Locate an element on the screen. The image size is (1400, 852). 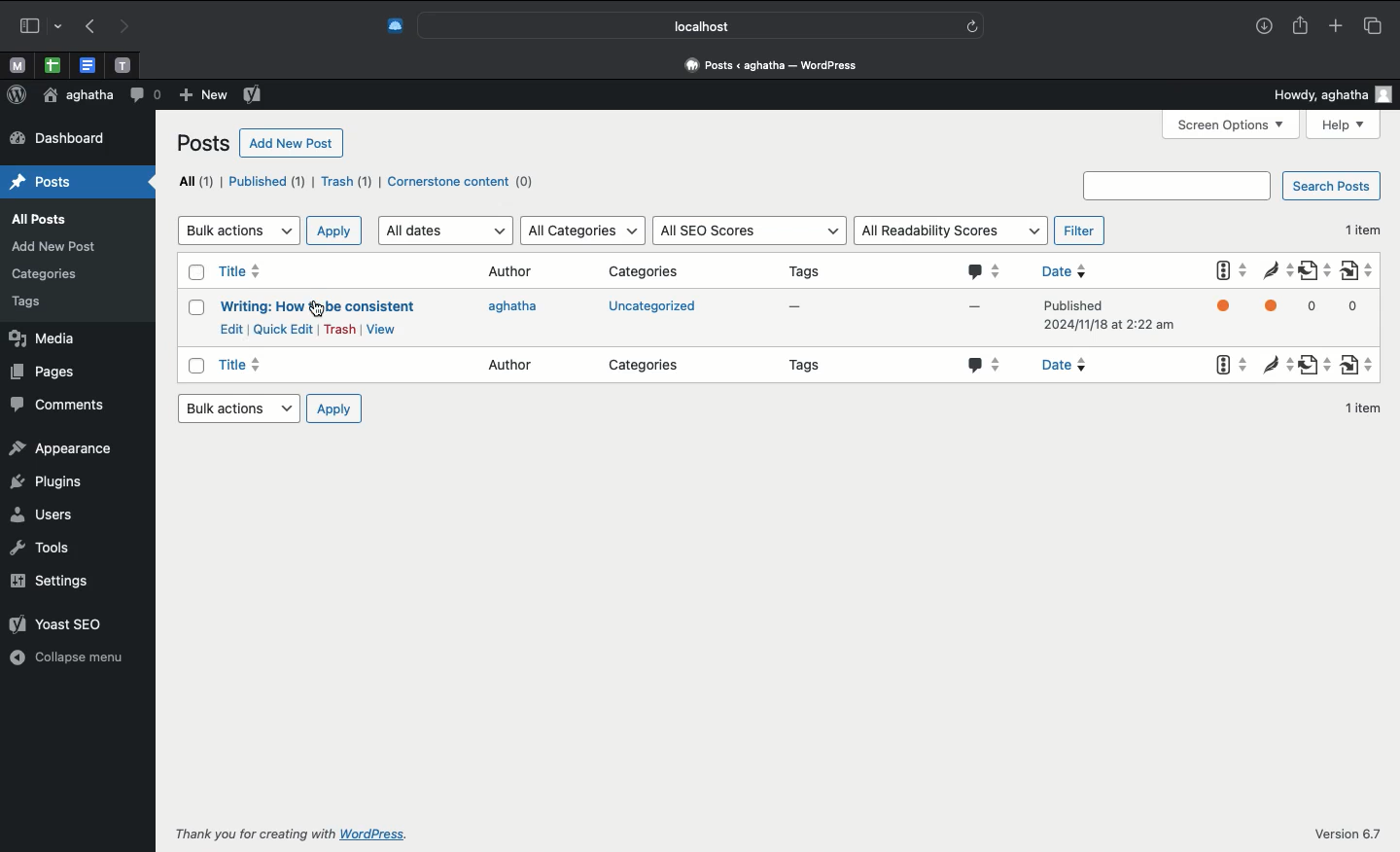
0 is located at coordinates (1317, 306).